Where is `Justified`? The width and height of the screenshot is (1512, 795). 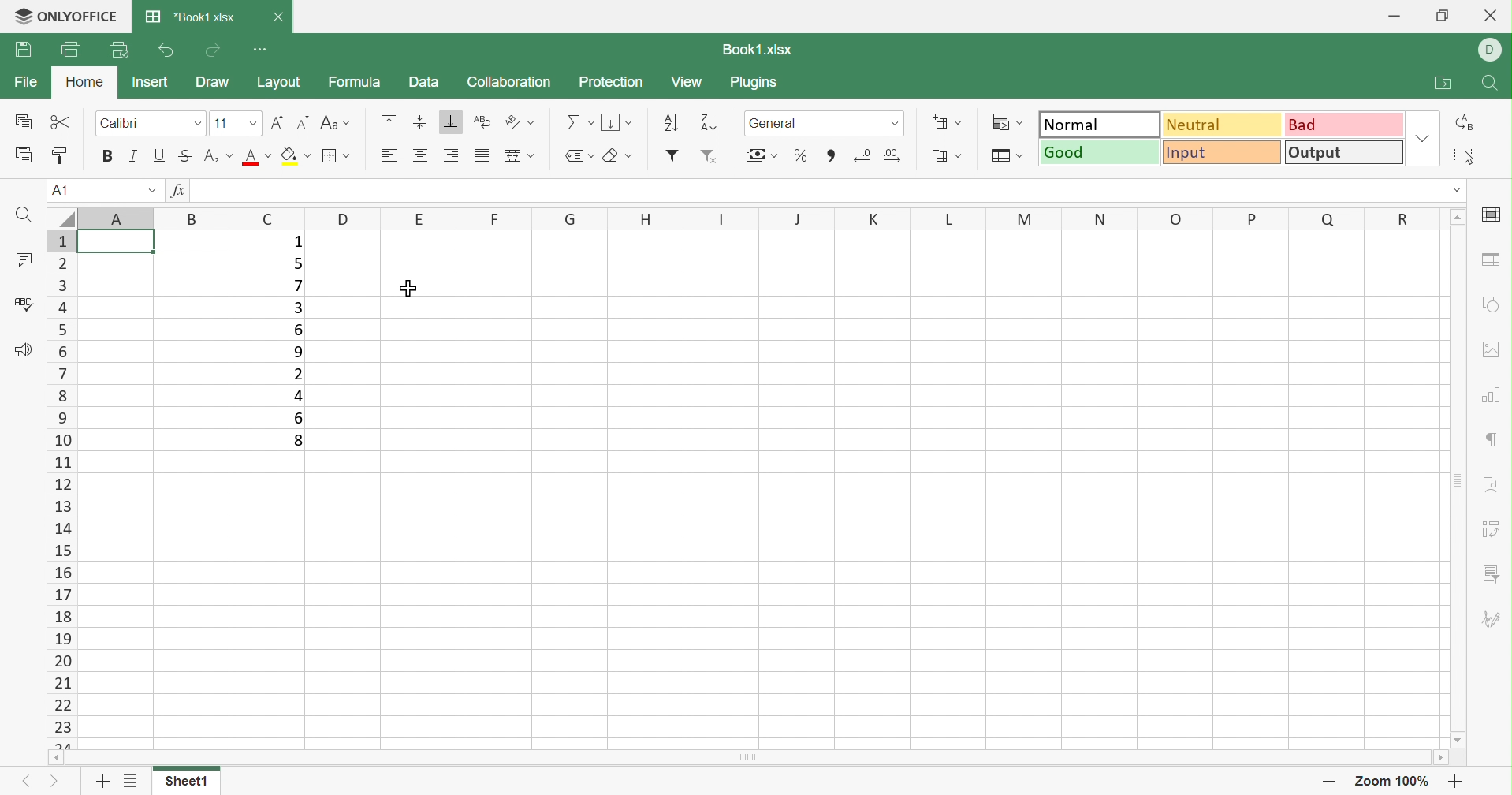
Justified is located at coordinates (481, 155).